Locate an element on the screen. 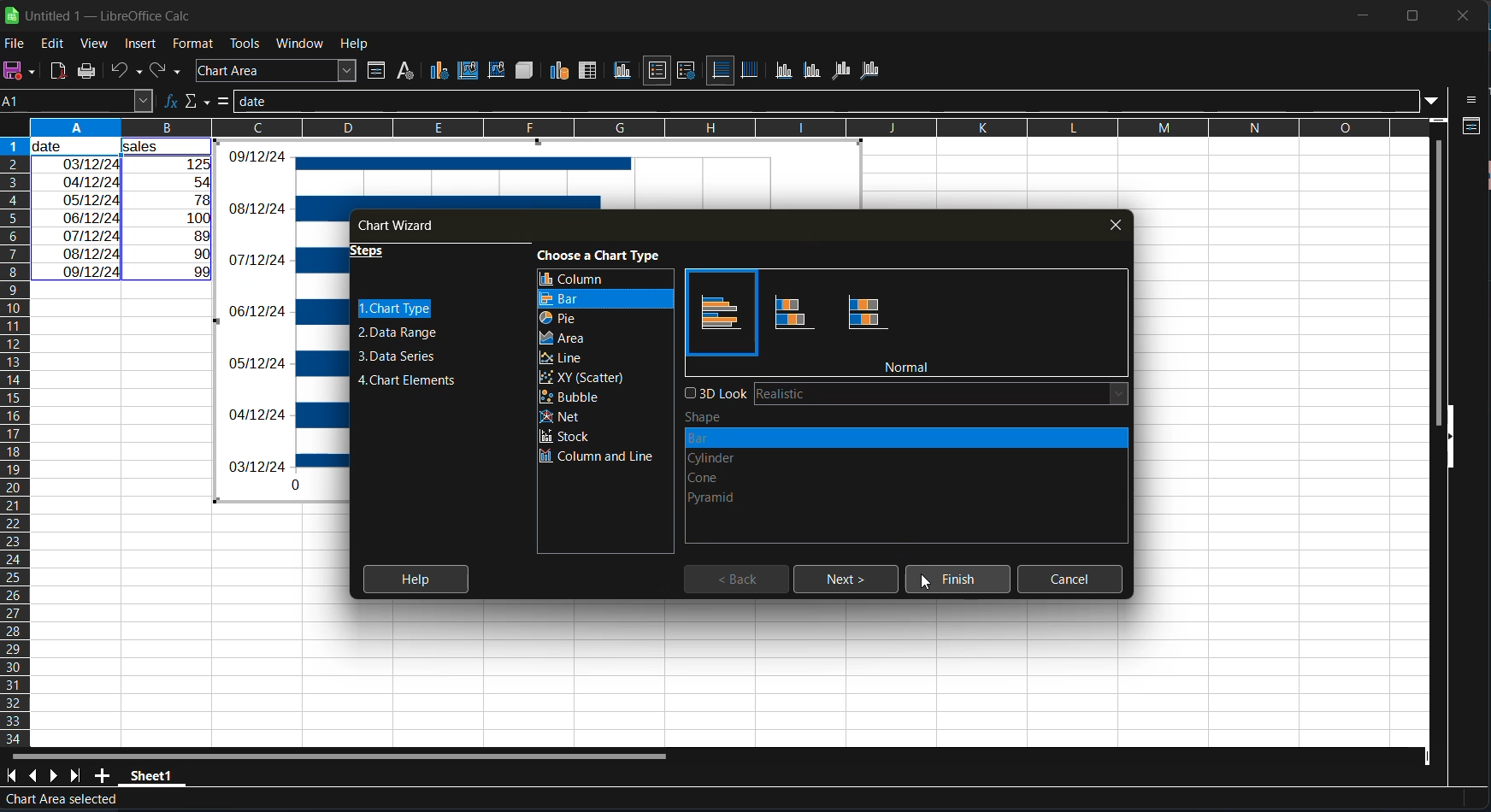 The height and width of the screenshot is (812, 1491). window is located at coordinates (301, 43).